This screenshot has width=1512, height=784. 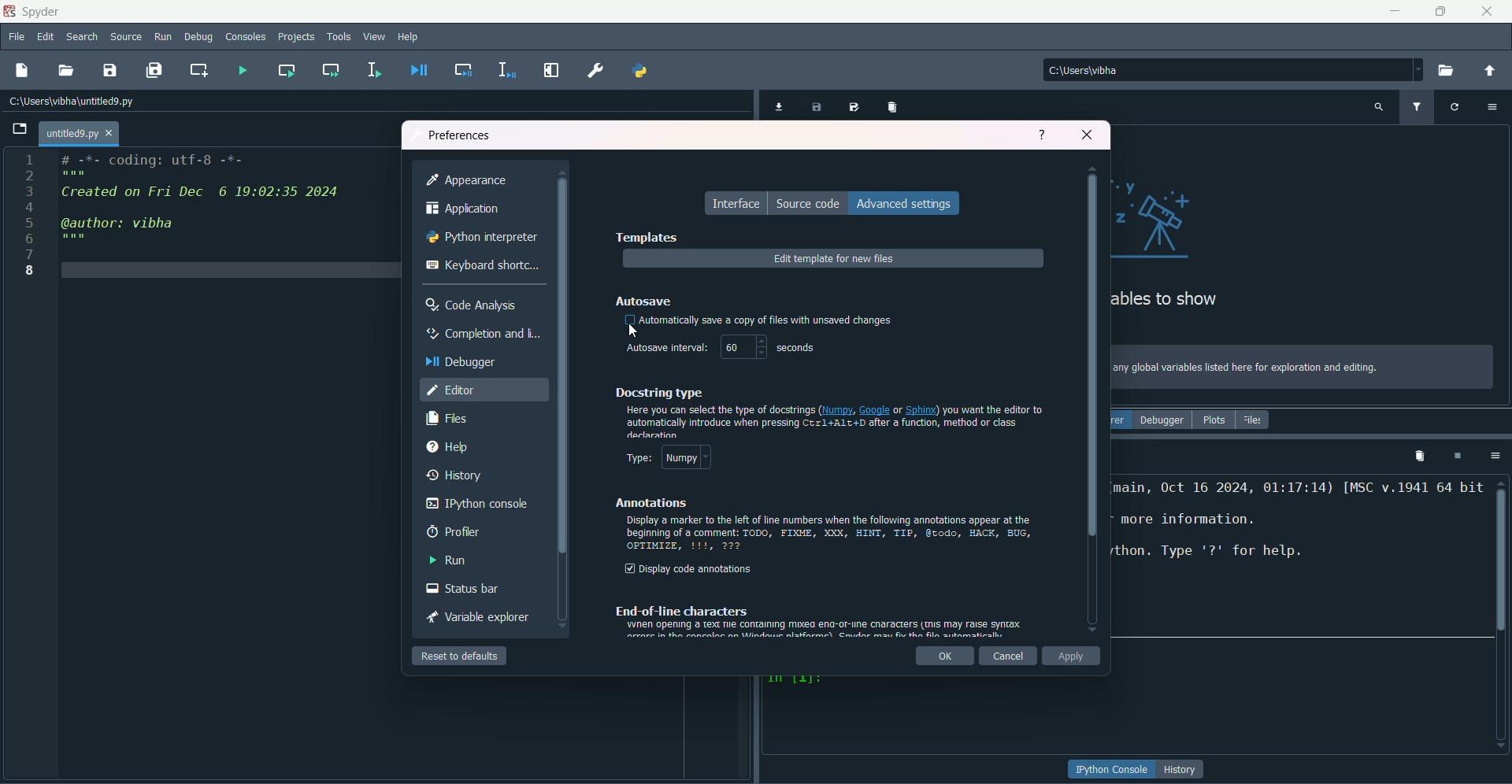 What do you see at coordinates (239, 69) in the screenshot?
I see `run file` at bounding box center [239, 69].